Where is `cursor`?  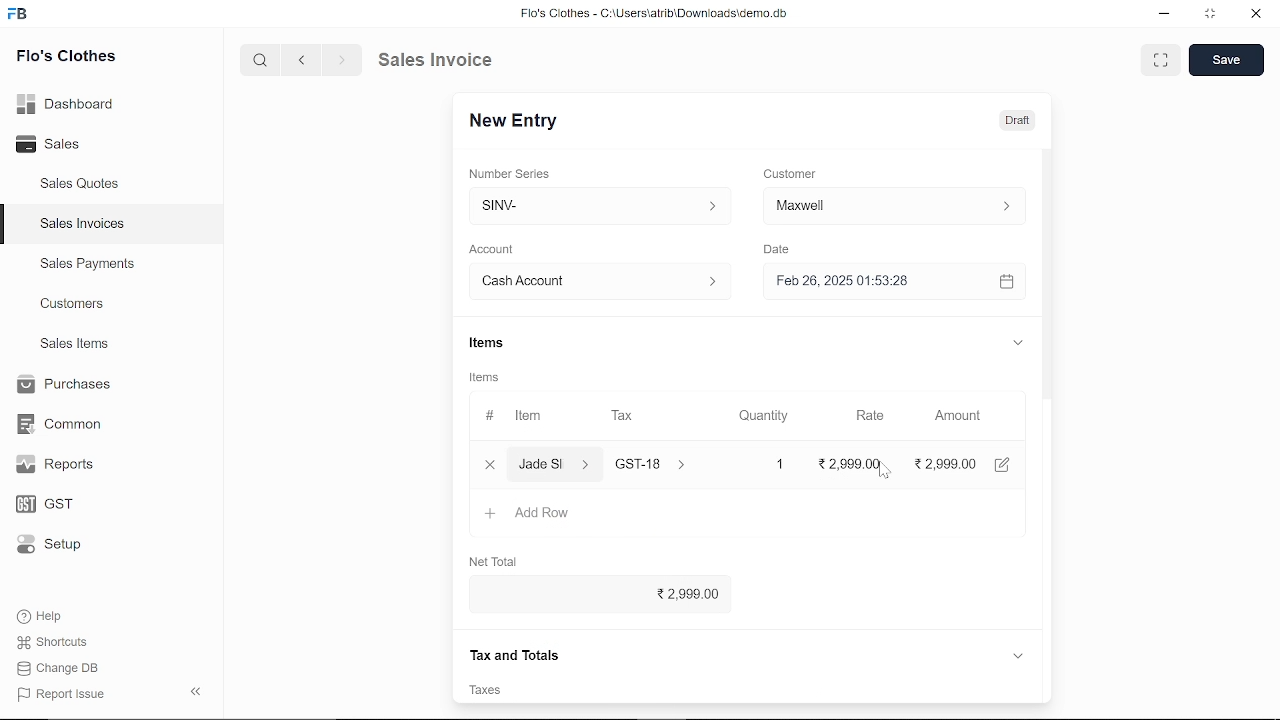
cursor is located at coordinates (882, 470).